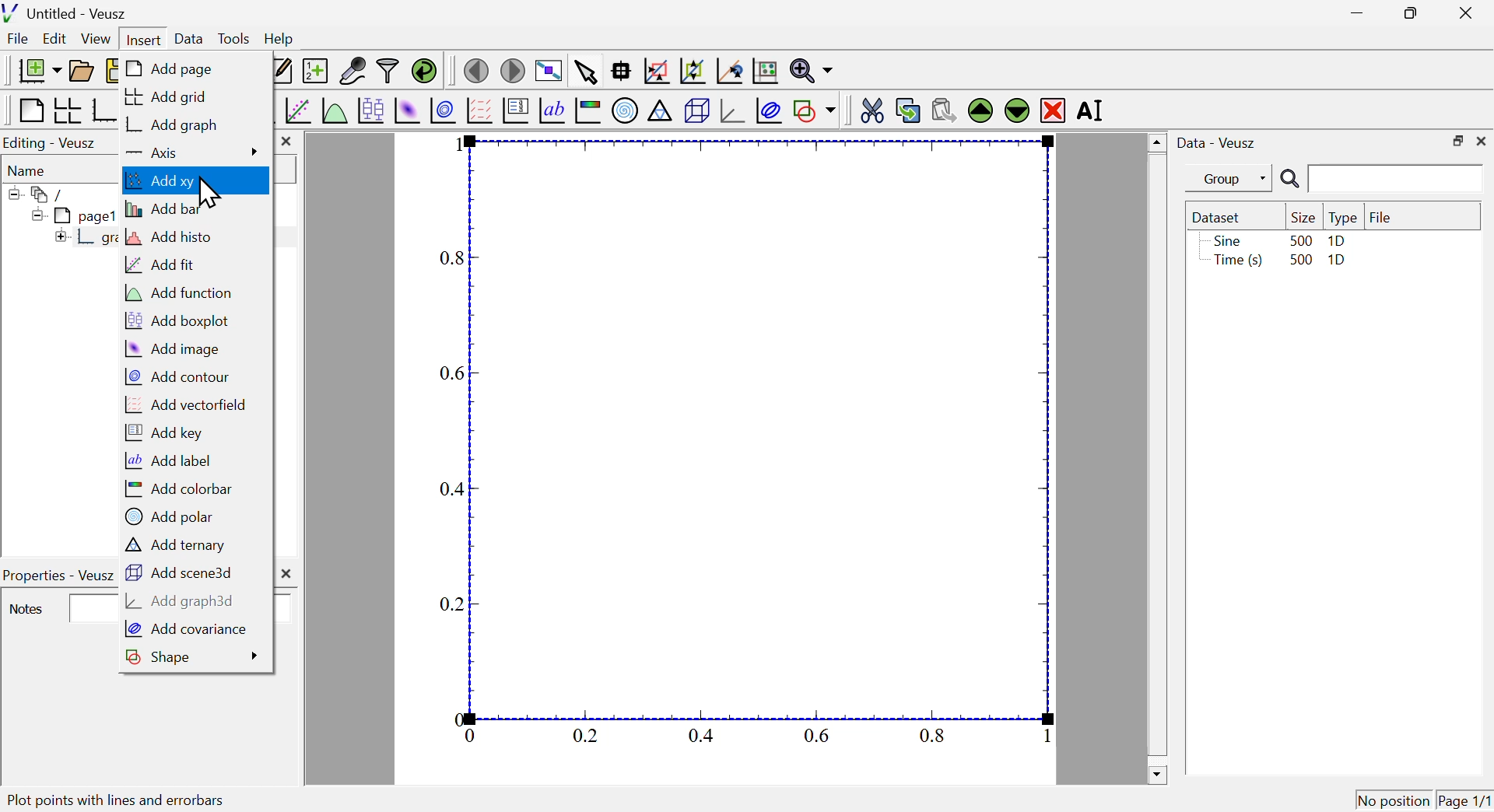 This screenshot has height=812, width=1494. What do you see at coordinates (408, 110) in the screenshot?
I see `plot a 2d dataset as an image` at bounding box center [408, 110].